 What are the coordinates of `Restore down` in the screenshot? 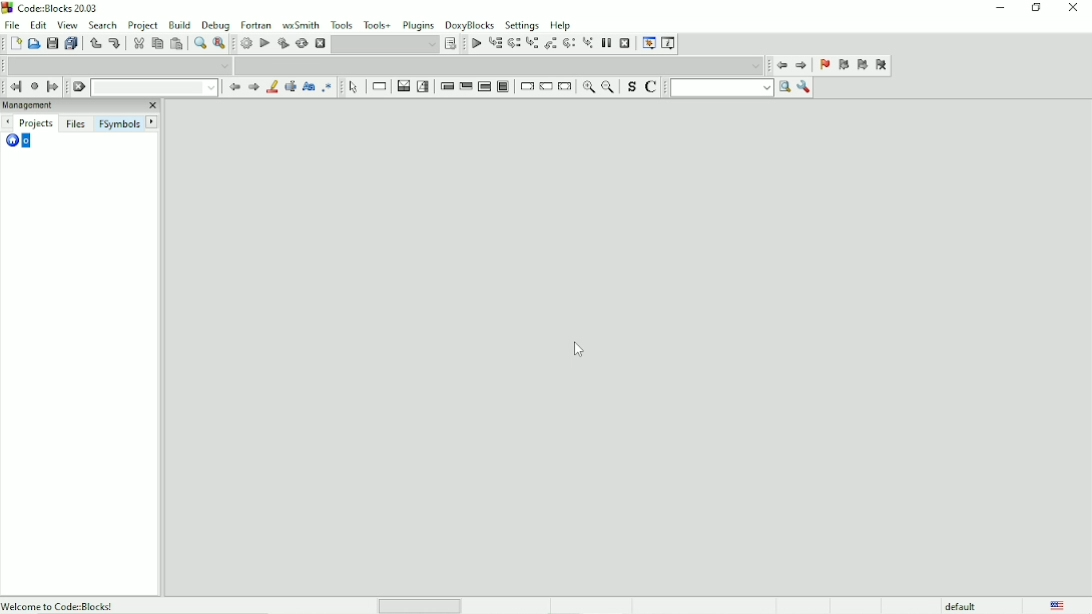 It's located at (1035, 8).